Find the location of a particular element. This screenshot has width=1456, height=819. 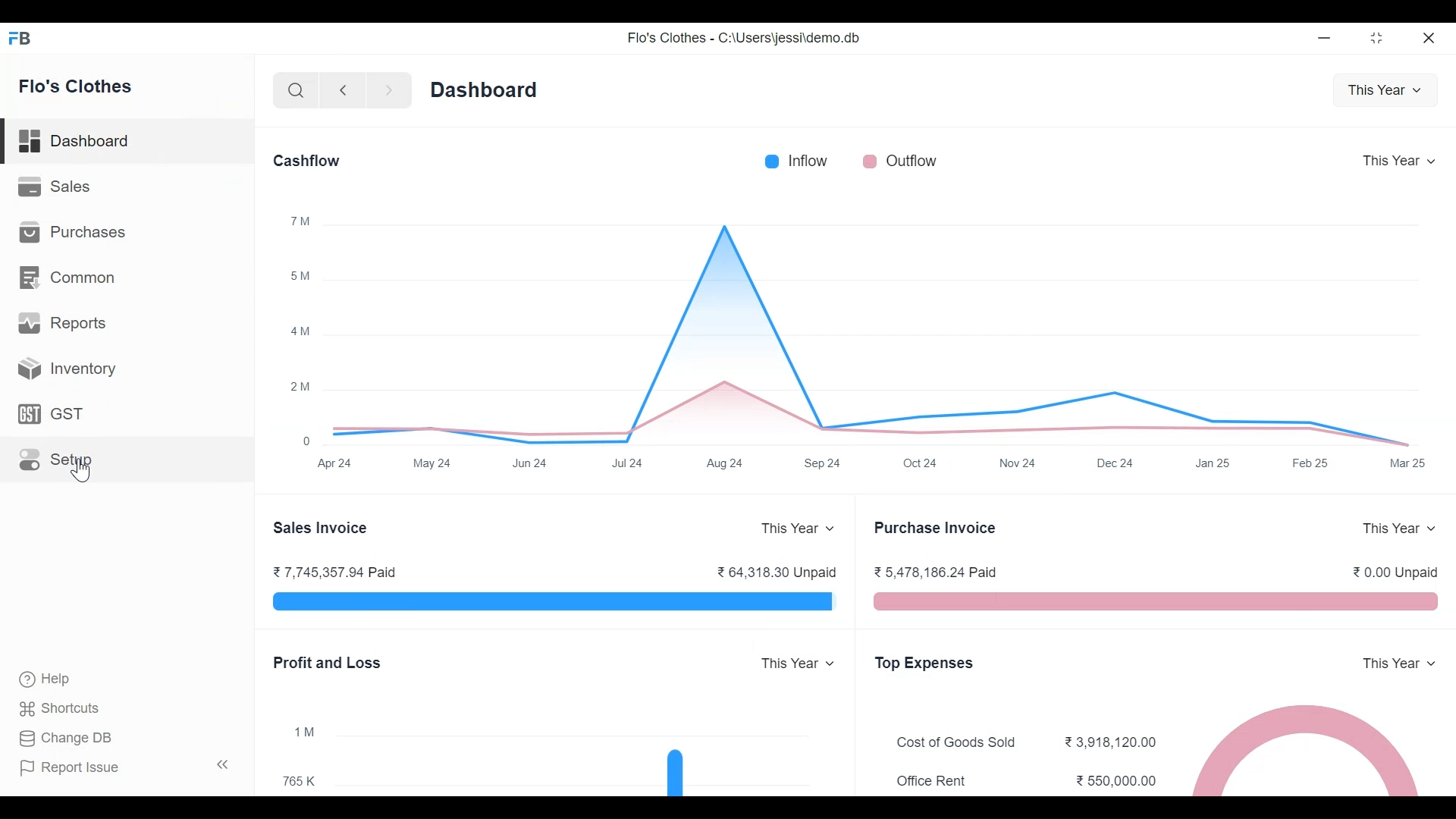

Office Rent is located at coordinates (934, 781).